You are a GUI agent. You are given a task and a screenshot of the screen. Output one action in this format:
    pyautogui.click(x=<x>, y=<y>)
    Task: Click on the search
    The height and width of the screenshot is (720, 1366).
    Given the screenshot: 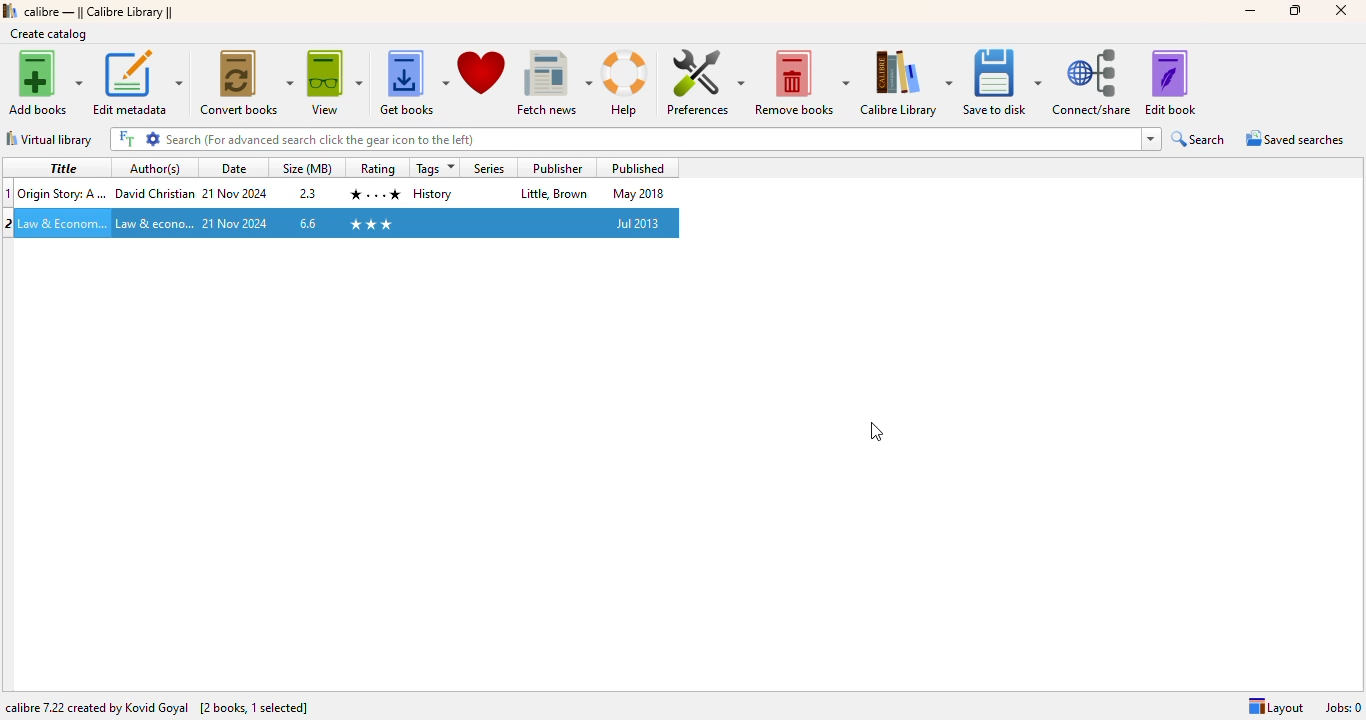 What is the action you would take?
    pyautogui.click(x=1200, y=139)
    